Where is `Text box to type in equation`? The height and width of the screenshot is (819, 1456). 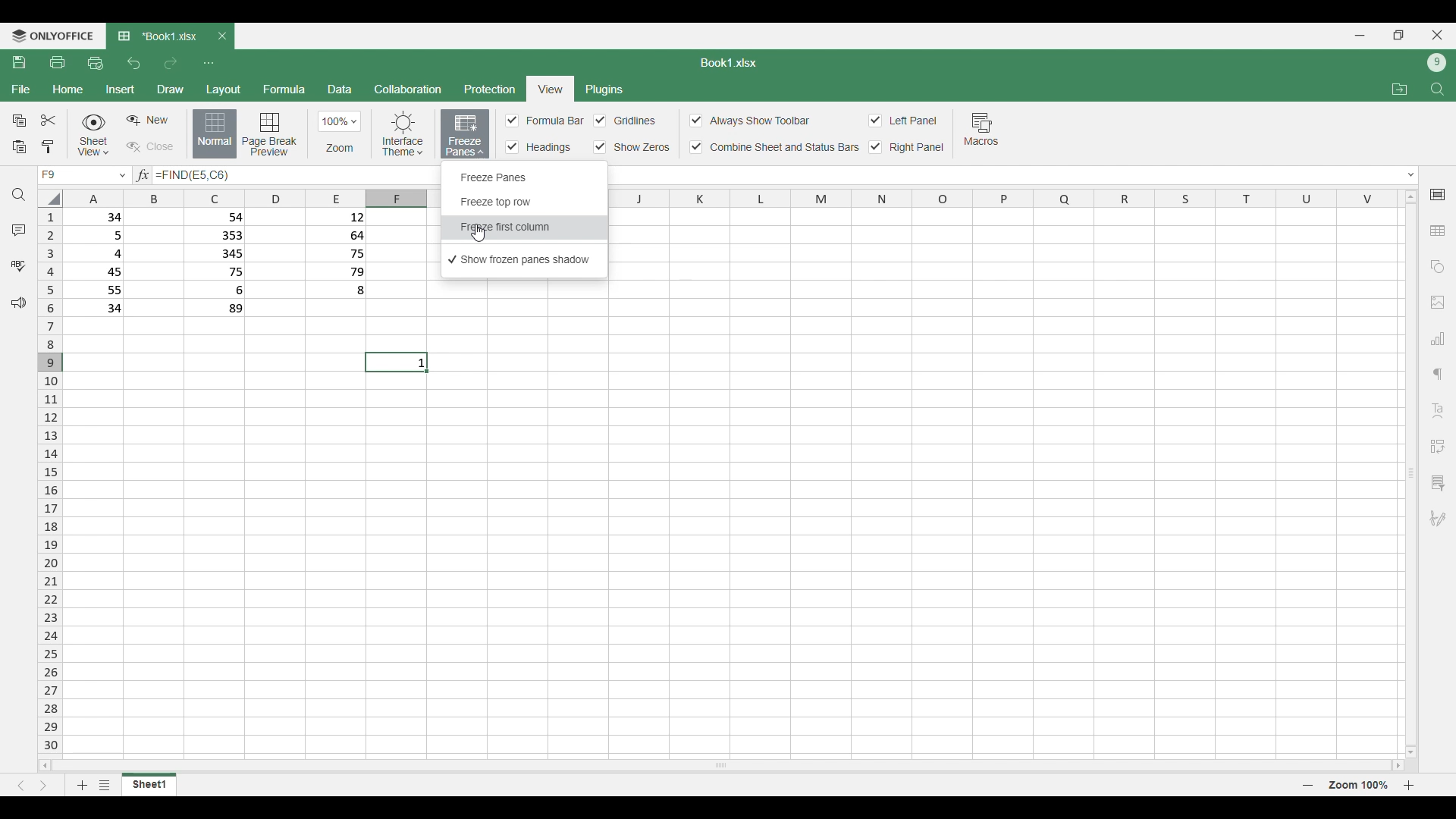 Text box to type in equation is located at coordinates (299, 176).